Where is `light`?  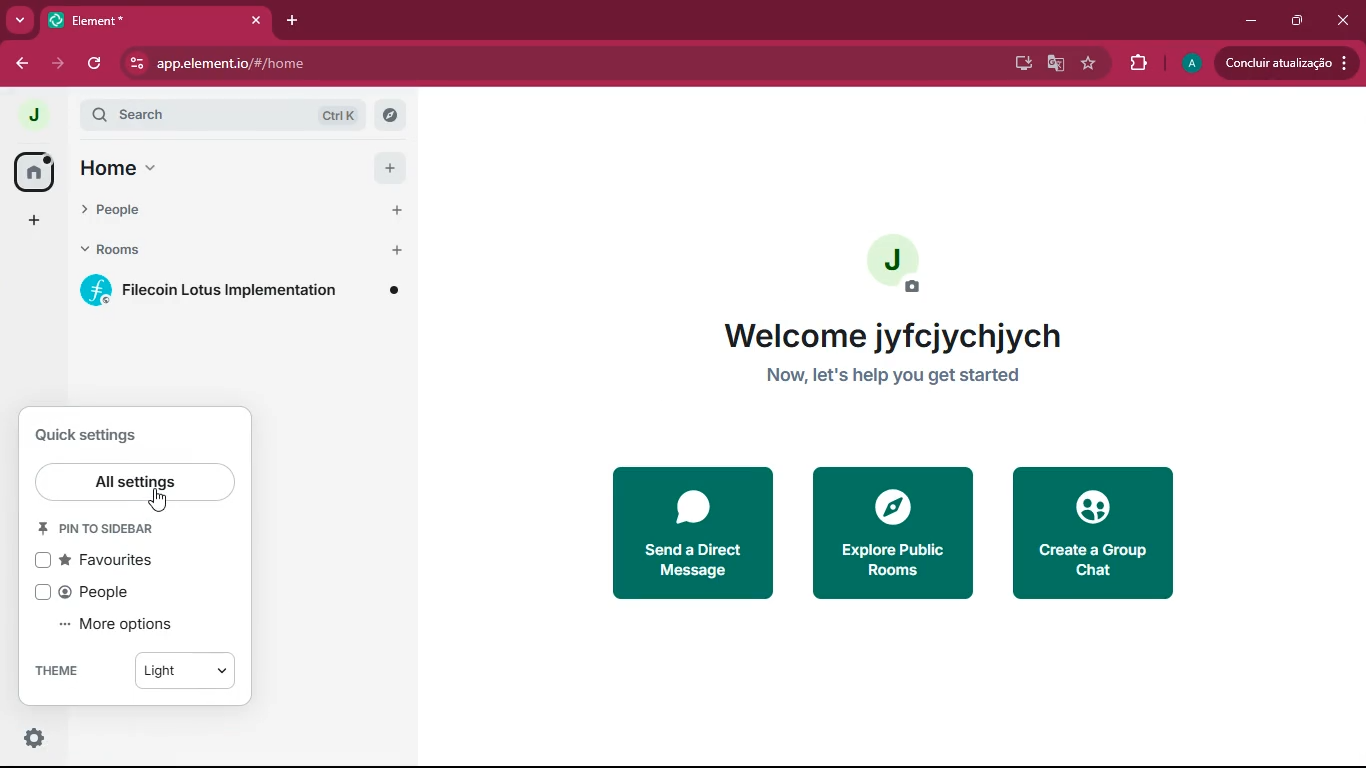
light is located at coordinates (177, 673).